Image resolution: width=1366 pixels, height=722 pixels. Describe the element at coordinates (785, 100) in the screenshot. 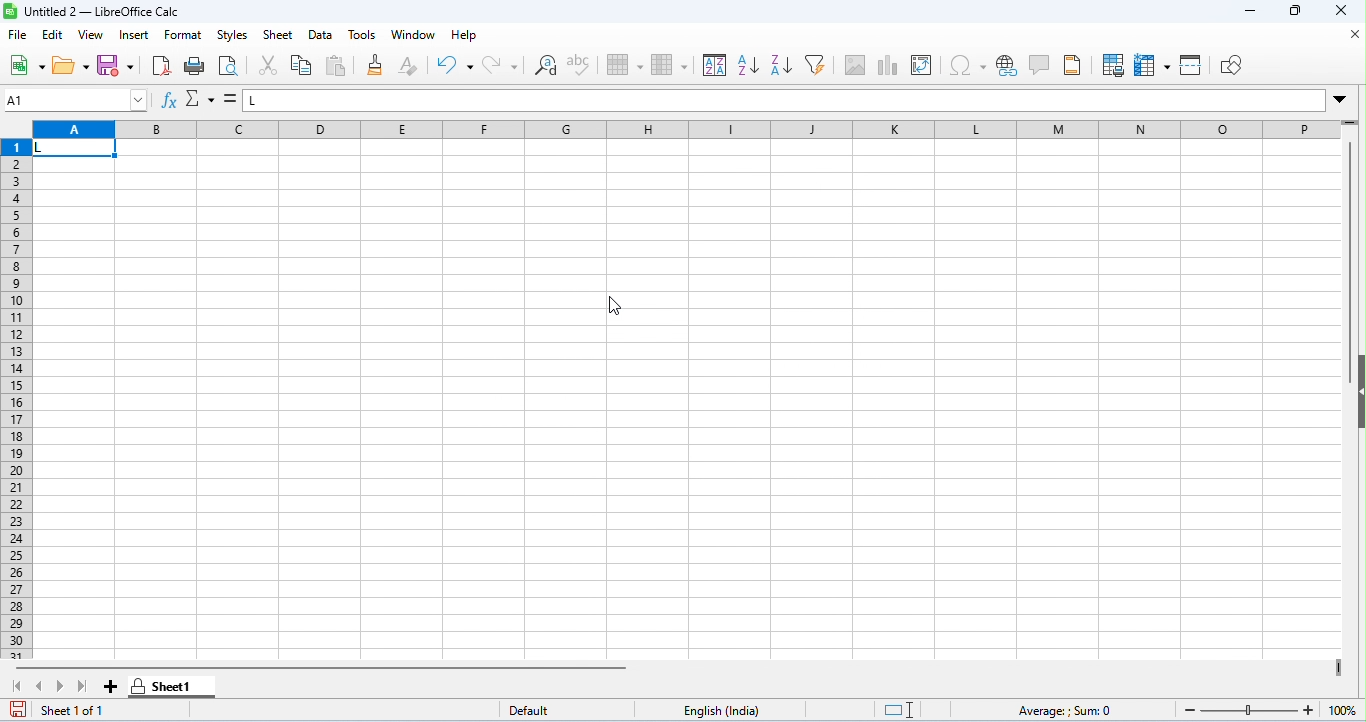

I see `formula bar` at that location.